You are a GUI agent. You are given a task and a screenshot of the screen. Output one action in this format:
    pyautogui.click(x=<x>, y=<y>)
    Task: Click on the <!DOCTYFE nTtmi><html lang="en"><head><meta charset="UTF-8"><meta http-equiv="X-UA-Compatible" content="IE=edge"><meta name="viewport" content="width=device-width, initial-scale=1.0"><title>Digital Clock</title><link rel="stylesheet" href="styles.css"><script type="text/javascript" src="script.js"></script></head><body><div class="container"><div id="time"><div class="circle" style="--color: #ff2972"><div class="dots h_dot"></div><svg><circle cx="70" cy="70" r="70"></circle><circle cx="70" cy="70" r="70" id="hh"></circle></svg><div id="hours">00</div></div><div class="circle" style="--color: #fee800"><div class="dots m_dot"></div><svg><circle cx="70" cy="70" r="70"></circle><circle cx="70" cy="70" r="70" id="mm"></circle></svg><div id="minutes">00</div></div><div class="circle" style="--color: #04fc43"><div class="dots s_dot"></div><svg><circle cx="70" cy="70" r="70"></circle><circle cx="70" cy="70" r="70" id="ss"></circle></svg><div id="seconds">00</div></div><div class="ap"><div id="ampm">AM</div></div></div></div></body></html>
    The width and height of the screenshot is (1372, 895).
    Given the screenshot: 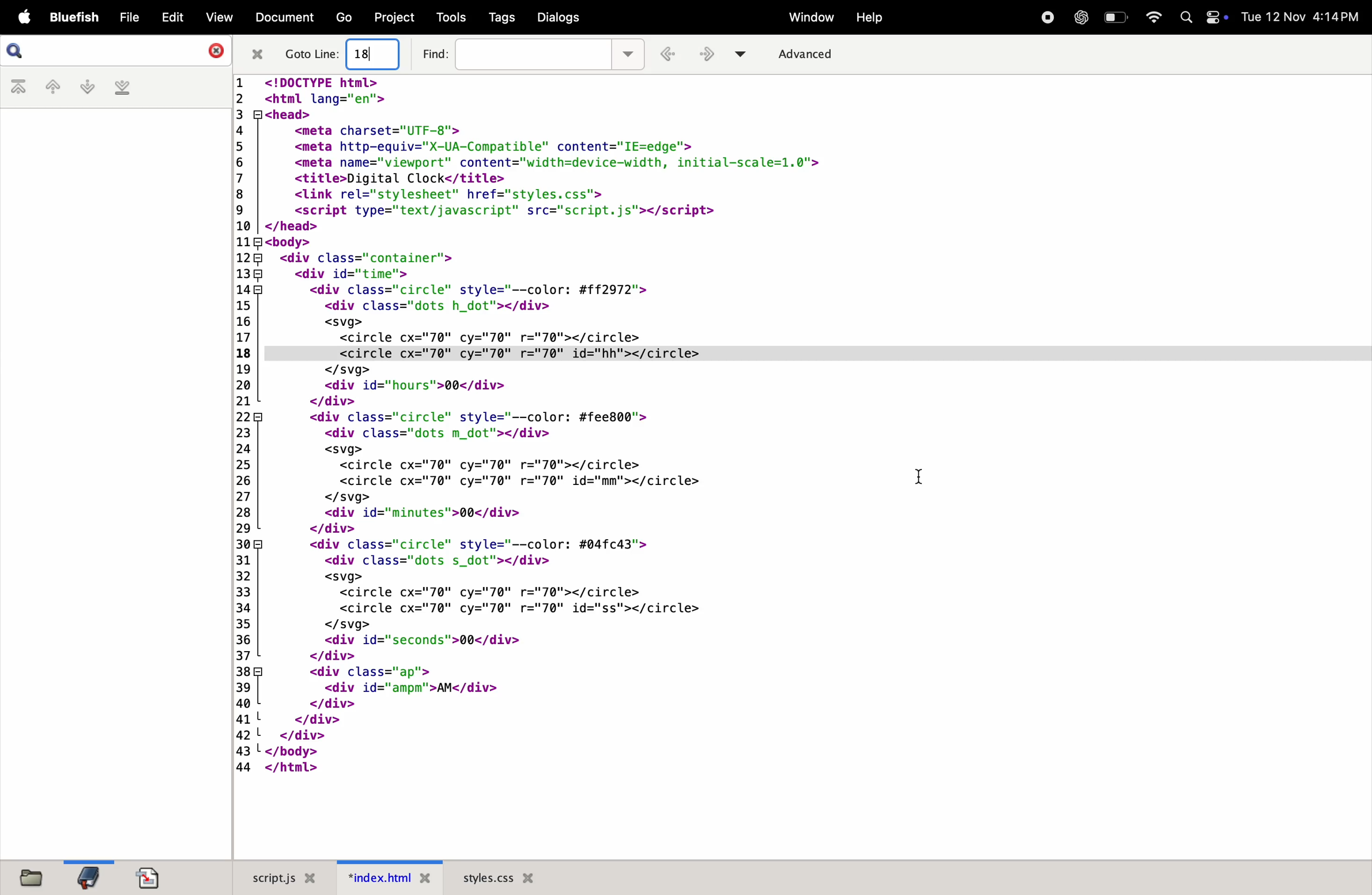 What is the action you would take?
    pyautogui.click(x=582, y=434)
    